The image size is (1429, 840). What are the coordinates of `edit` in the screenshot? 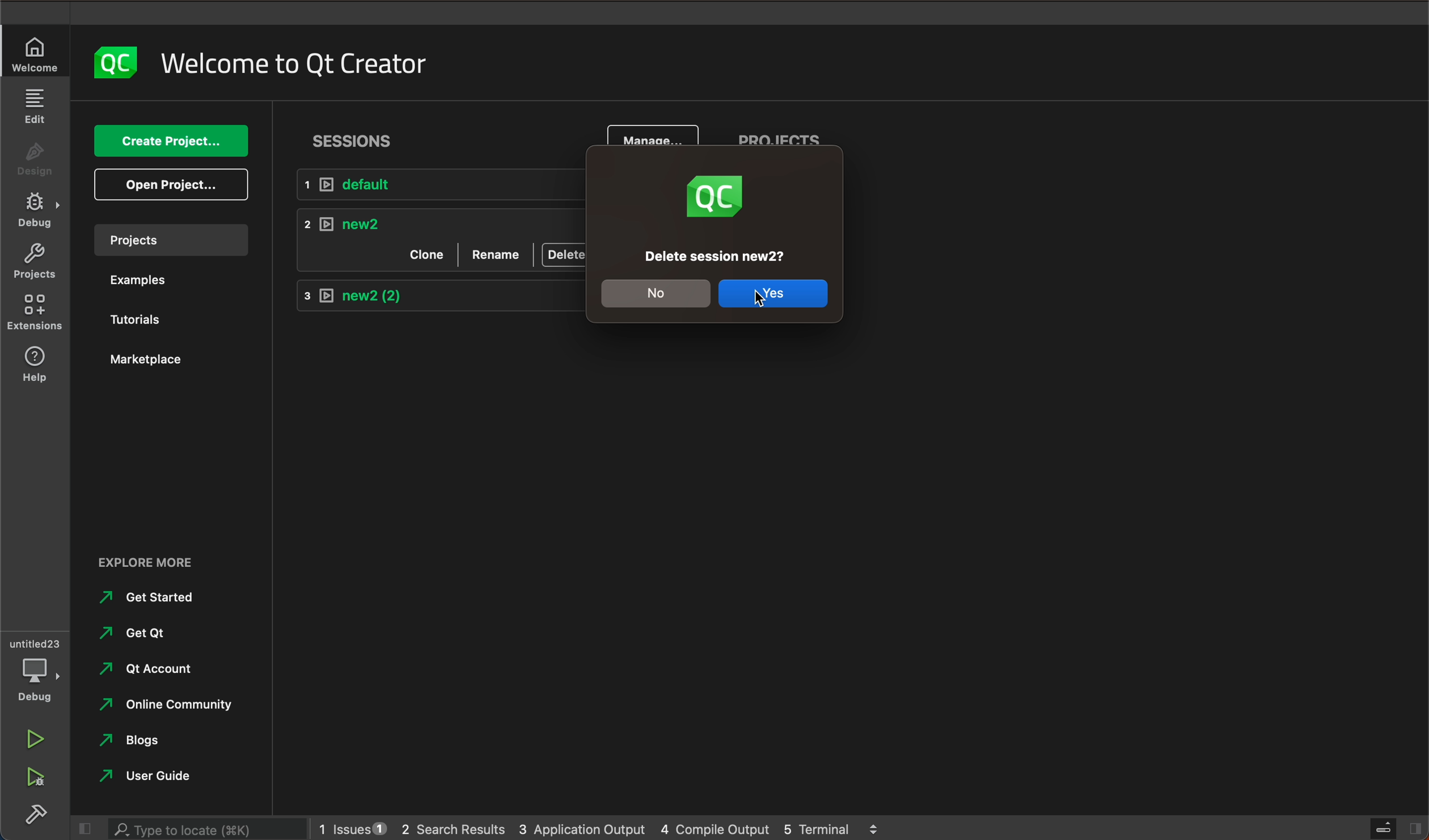 It's located at (38, 105).